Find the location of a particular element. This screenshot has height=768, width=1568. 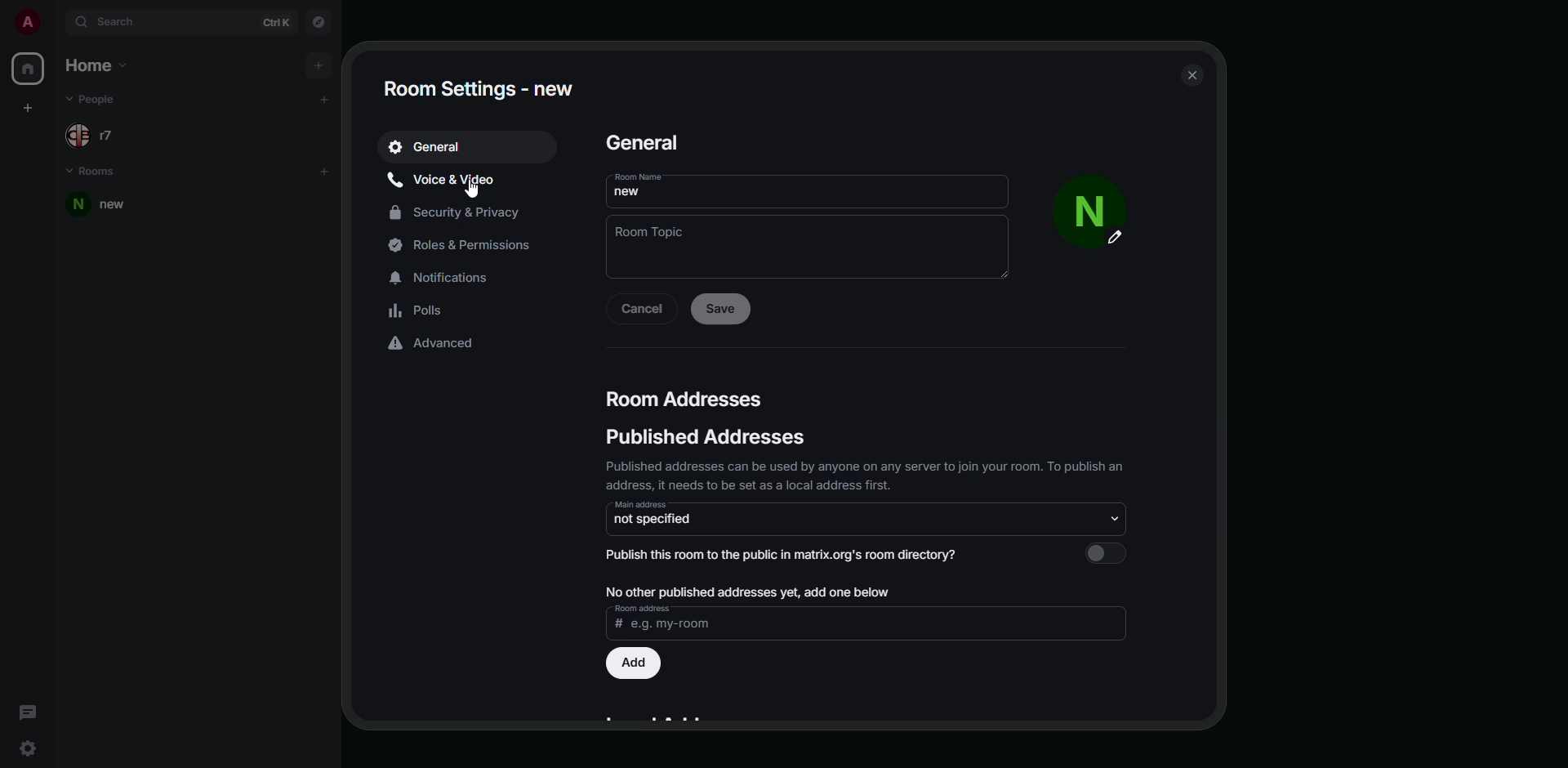

quick settings is located at coordinates (29, 748).